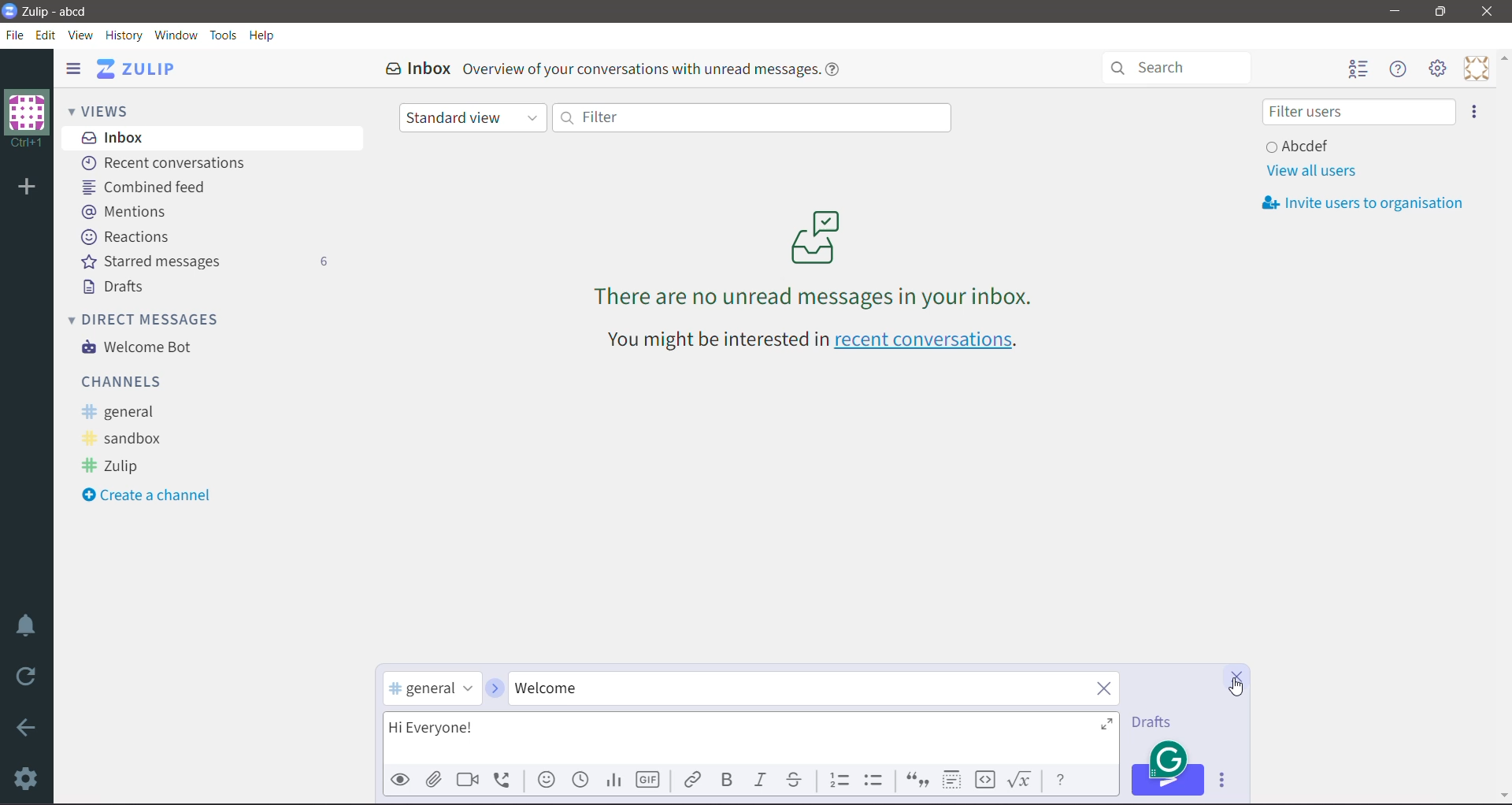 The height and width of the screenshot is (805, 1512). What do you see at coordinates (28, 778) in the screenshot?
I see `Settings` at bounding box center [28, 778].